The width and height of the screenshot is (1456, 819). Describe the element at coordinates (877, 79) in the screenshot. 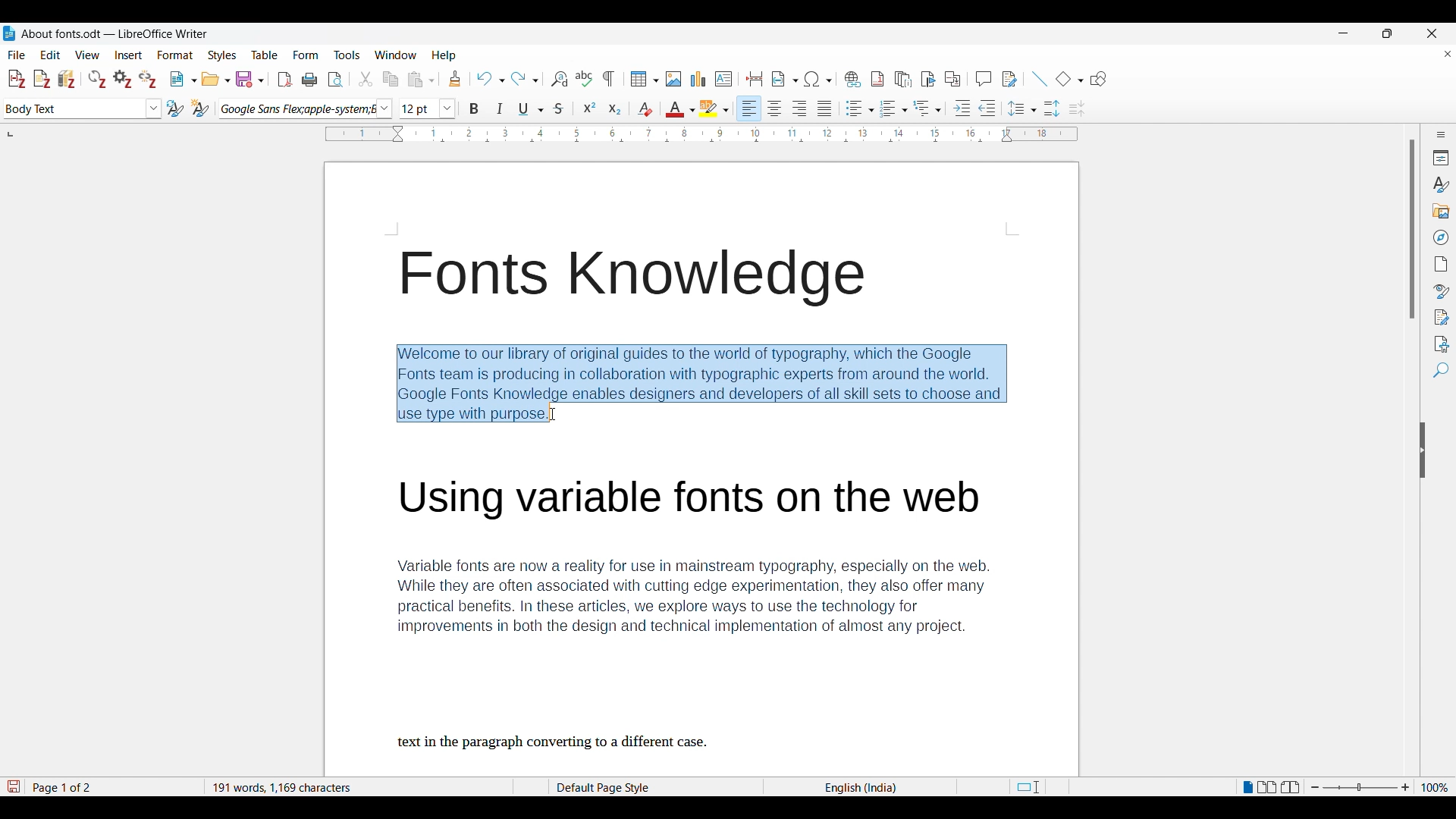

I see `Insert footnote` at that location.